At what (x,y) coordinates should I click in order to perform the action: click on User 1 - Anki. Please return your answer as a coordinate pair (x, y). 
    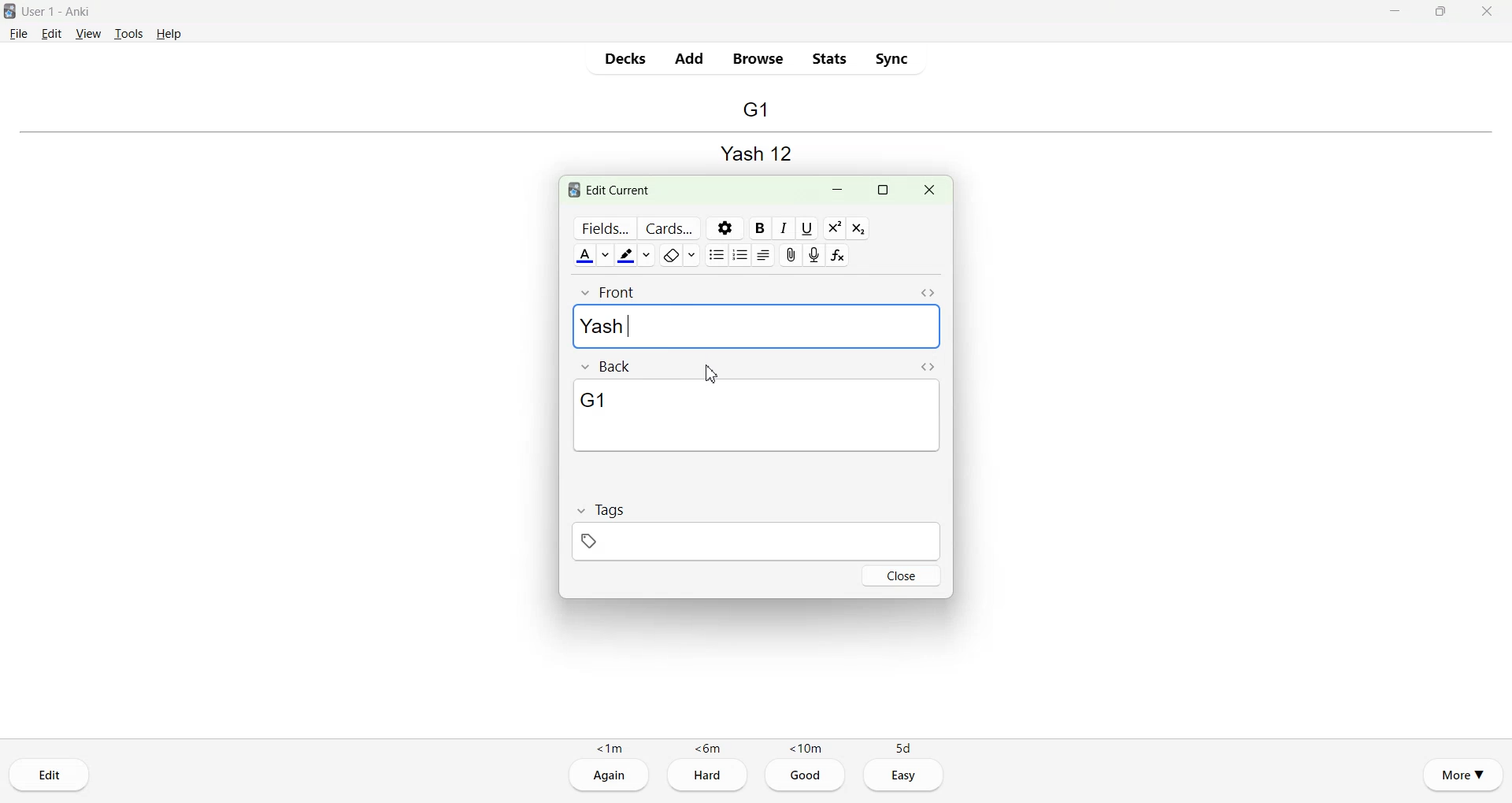
    Looking at the image, I should click on (66, 12).